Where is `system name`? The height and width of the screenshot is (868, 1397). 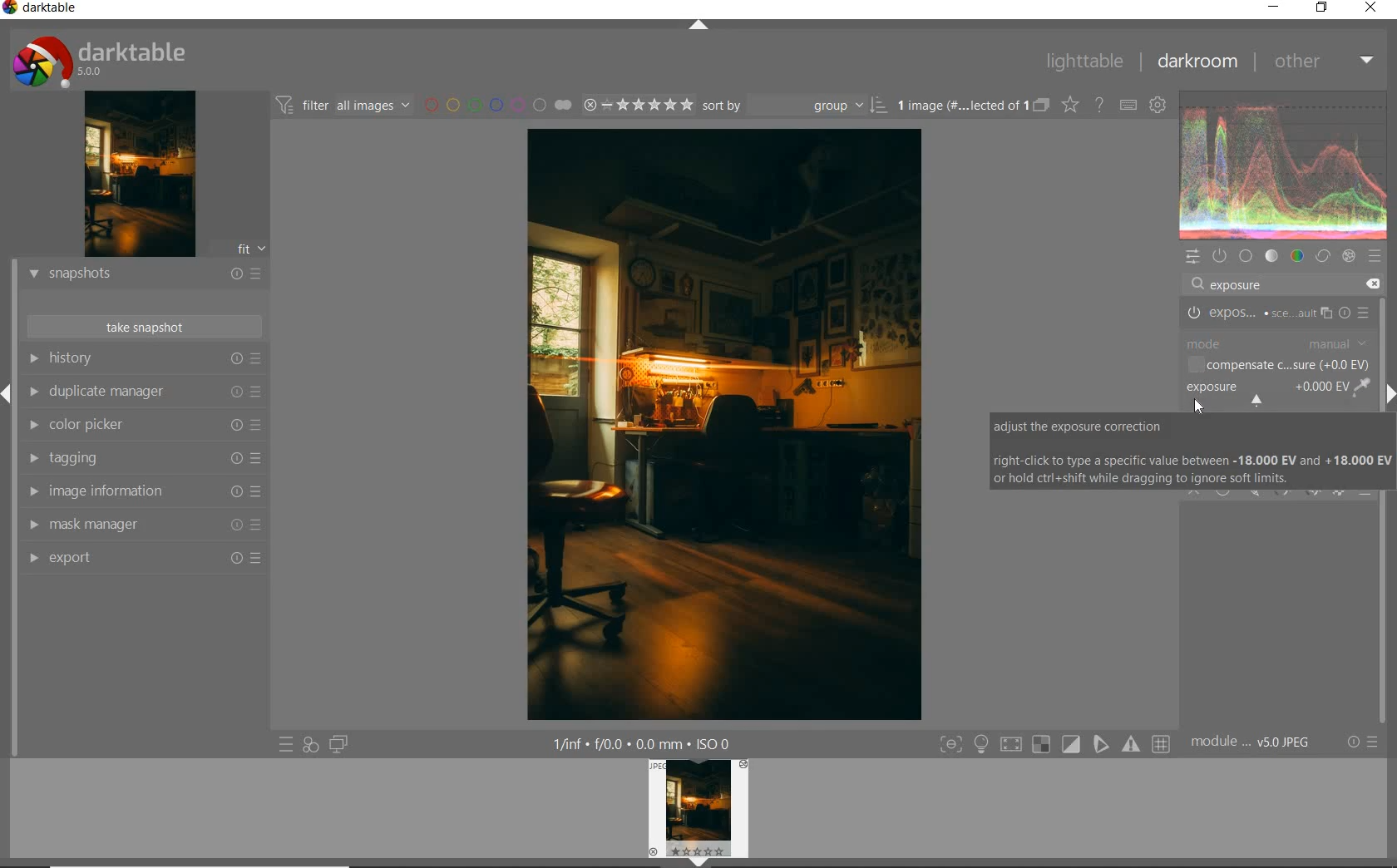
system name is located at coordinates (45, 10).